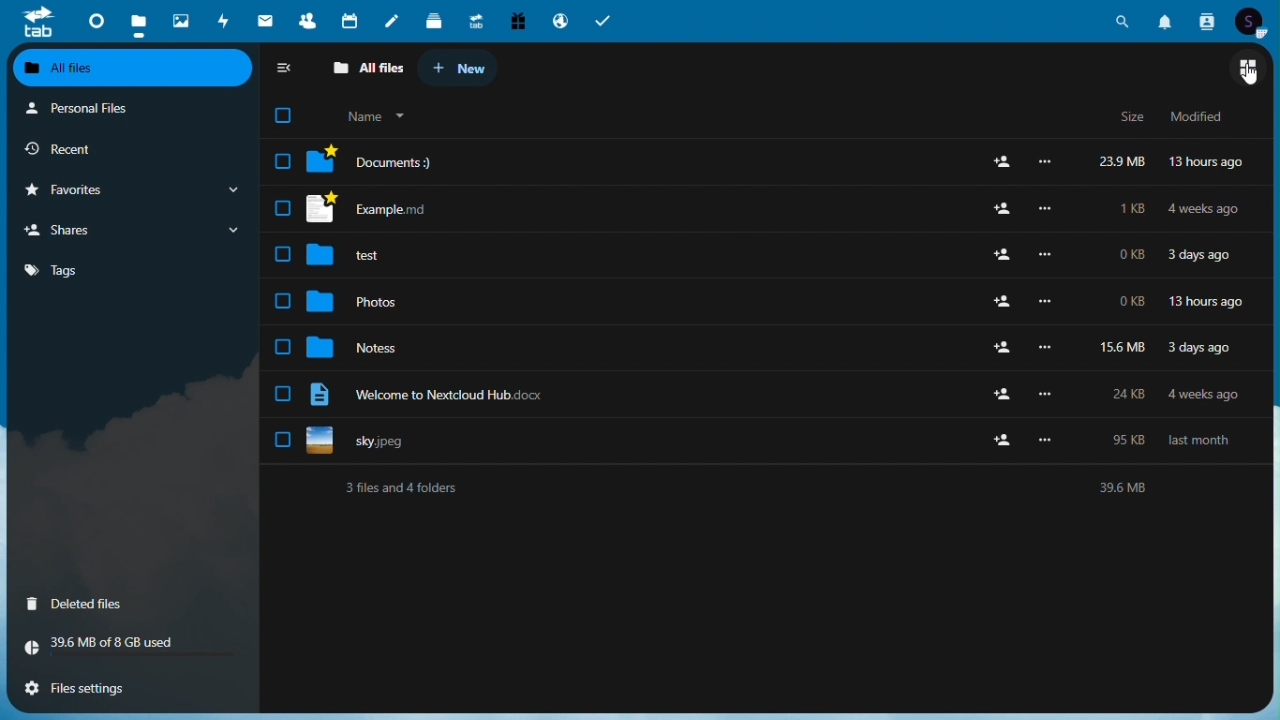 The width and height of the screenshot is (1280, 720). Describe the element at coordinates (778, 489) in the screenshot. I see `text` at that location.